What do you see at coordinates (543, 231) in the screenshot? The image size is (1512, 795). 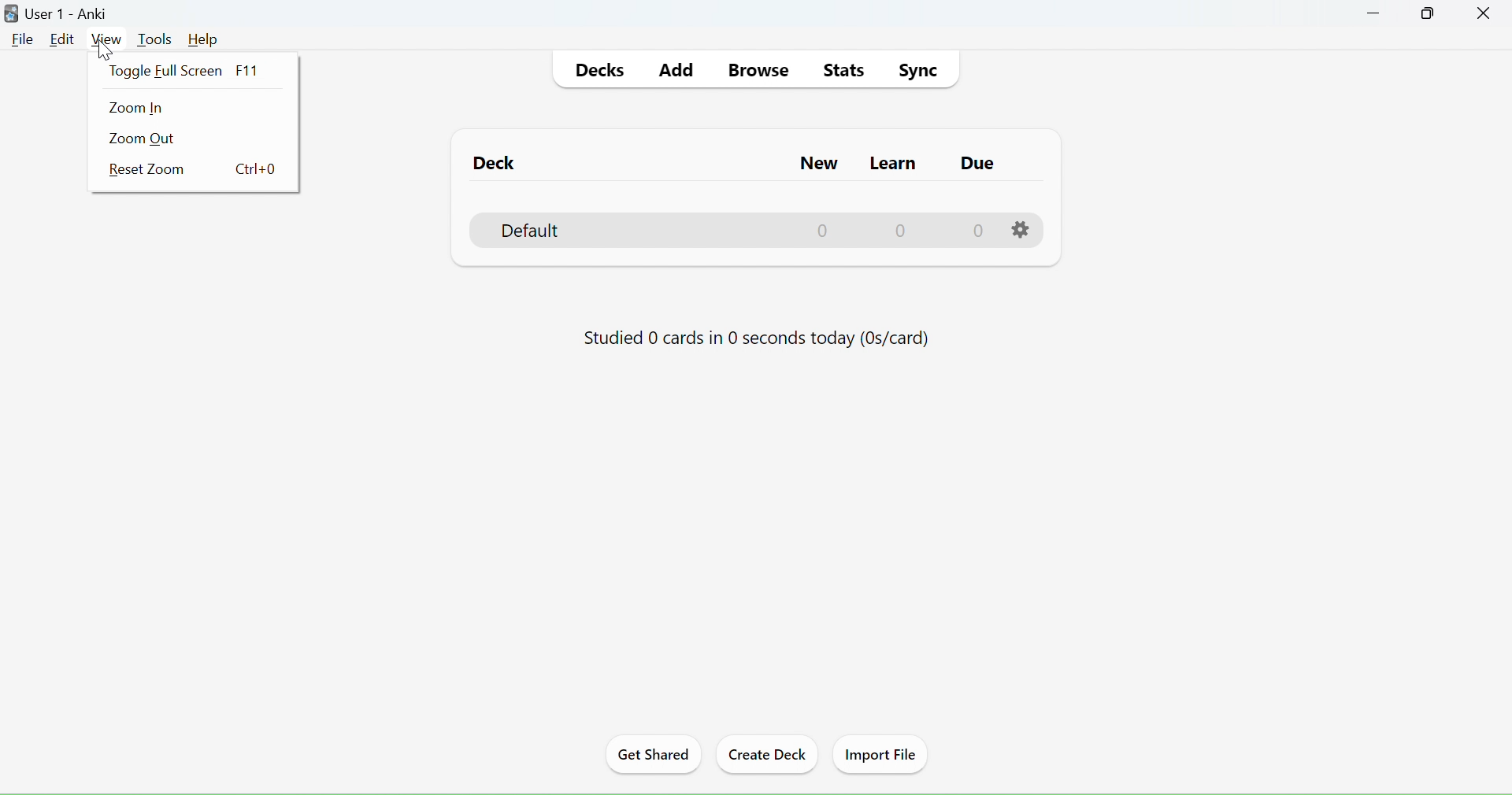 I see `default` at bounding box center [543, 231].